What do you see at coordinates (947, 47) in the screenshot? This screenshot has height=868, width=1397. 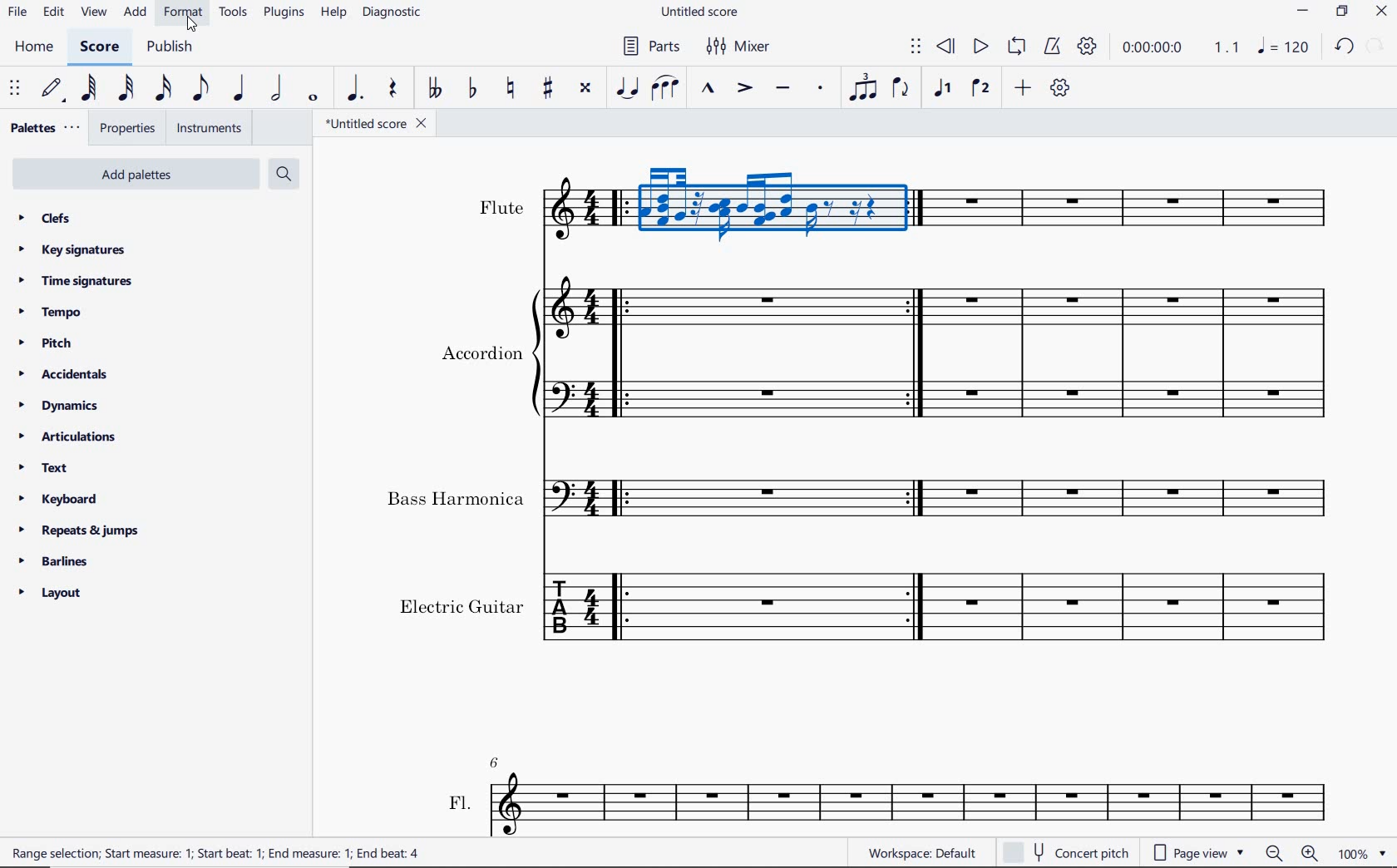 I see `rewind` at bounding box center [947, 47].